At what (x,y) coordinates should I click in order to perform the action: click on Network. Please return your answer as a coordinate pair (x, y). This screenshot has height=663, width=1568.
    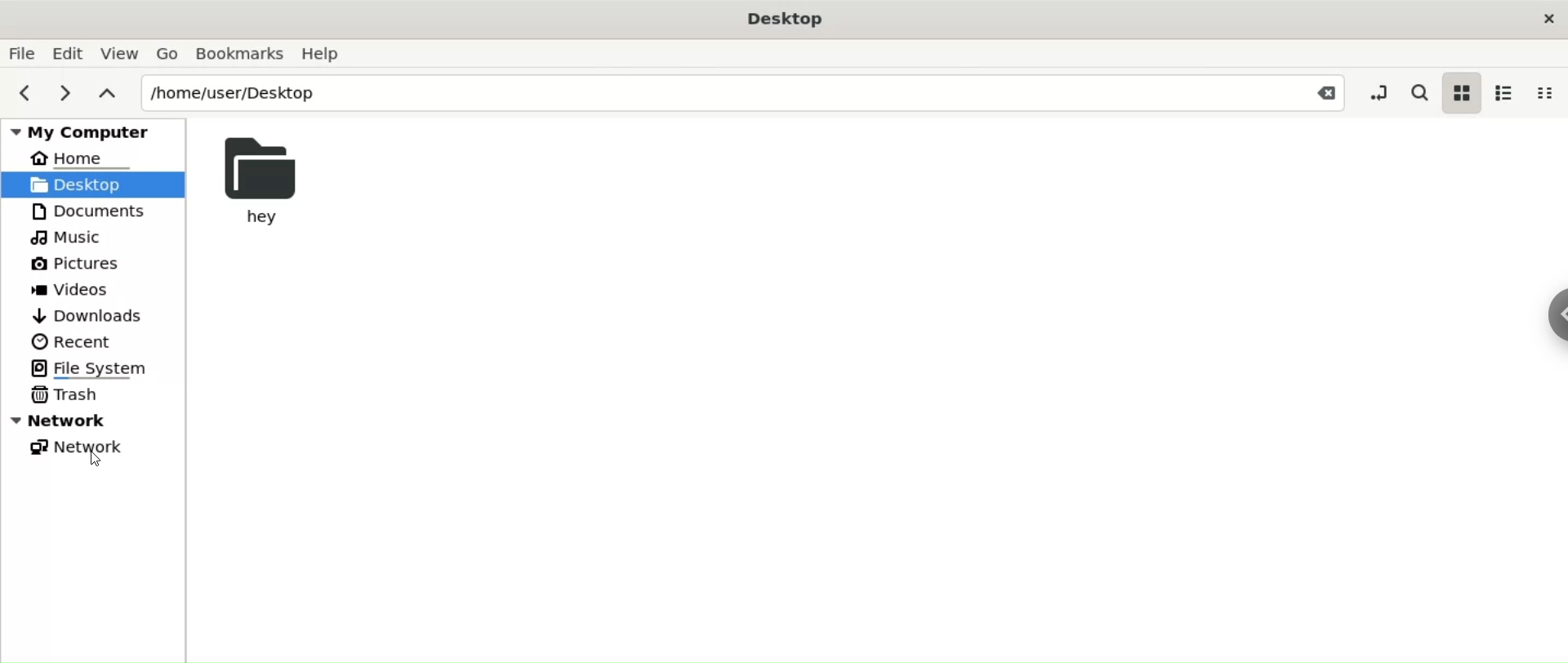
    Looking at the image, I should click on (89, 452).